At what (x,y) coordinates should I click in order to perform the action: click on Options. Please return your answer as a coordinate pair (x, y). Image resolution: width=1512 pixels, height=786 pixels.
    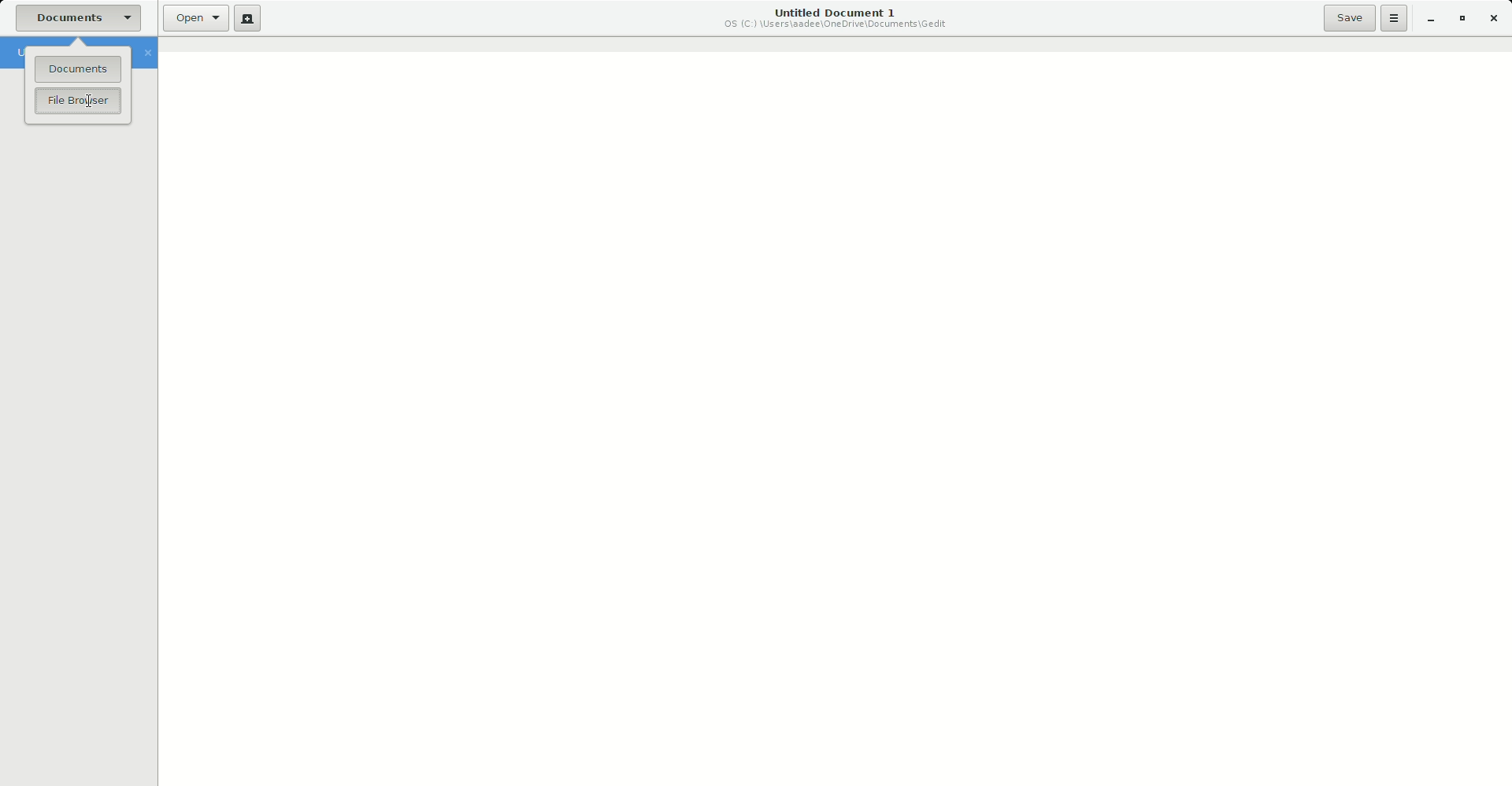
    Looking at the image, I should click on (1393, 19).